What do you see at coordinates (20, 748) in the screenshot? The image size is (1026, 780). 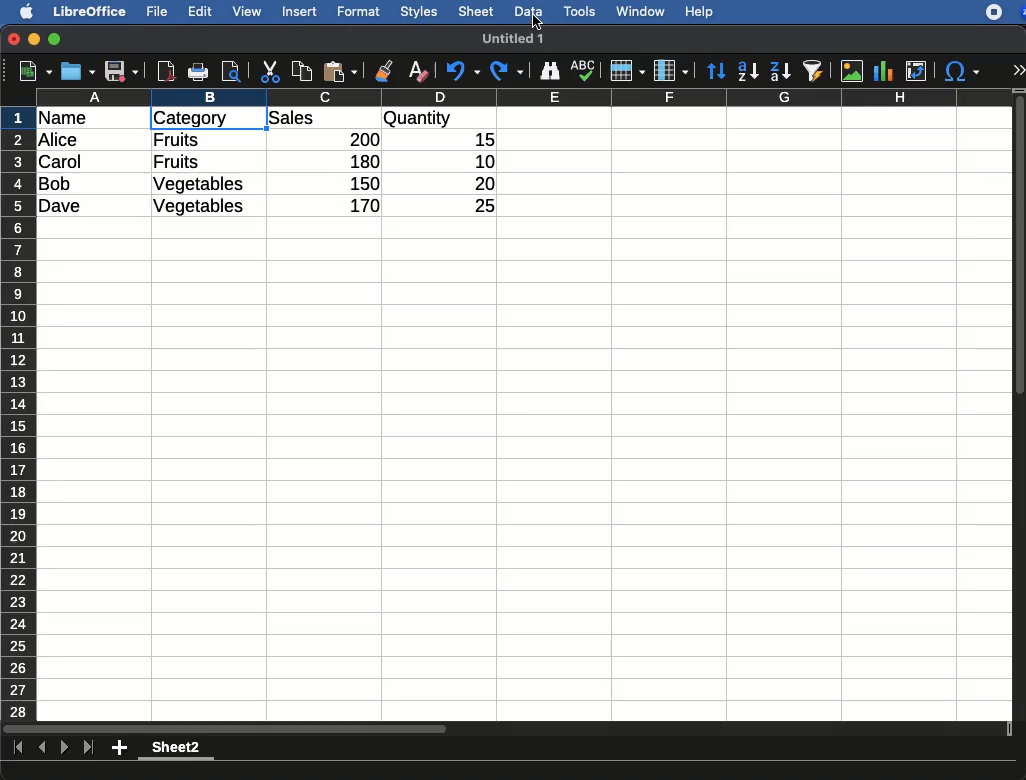 I see `first sheet` at bounding box center [20, 748].